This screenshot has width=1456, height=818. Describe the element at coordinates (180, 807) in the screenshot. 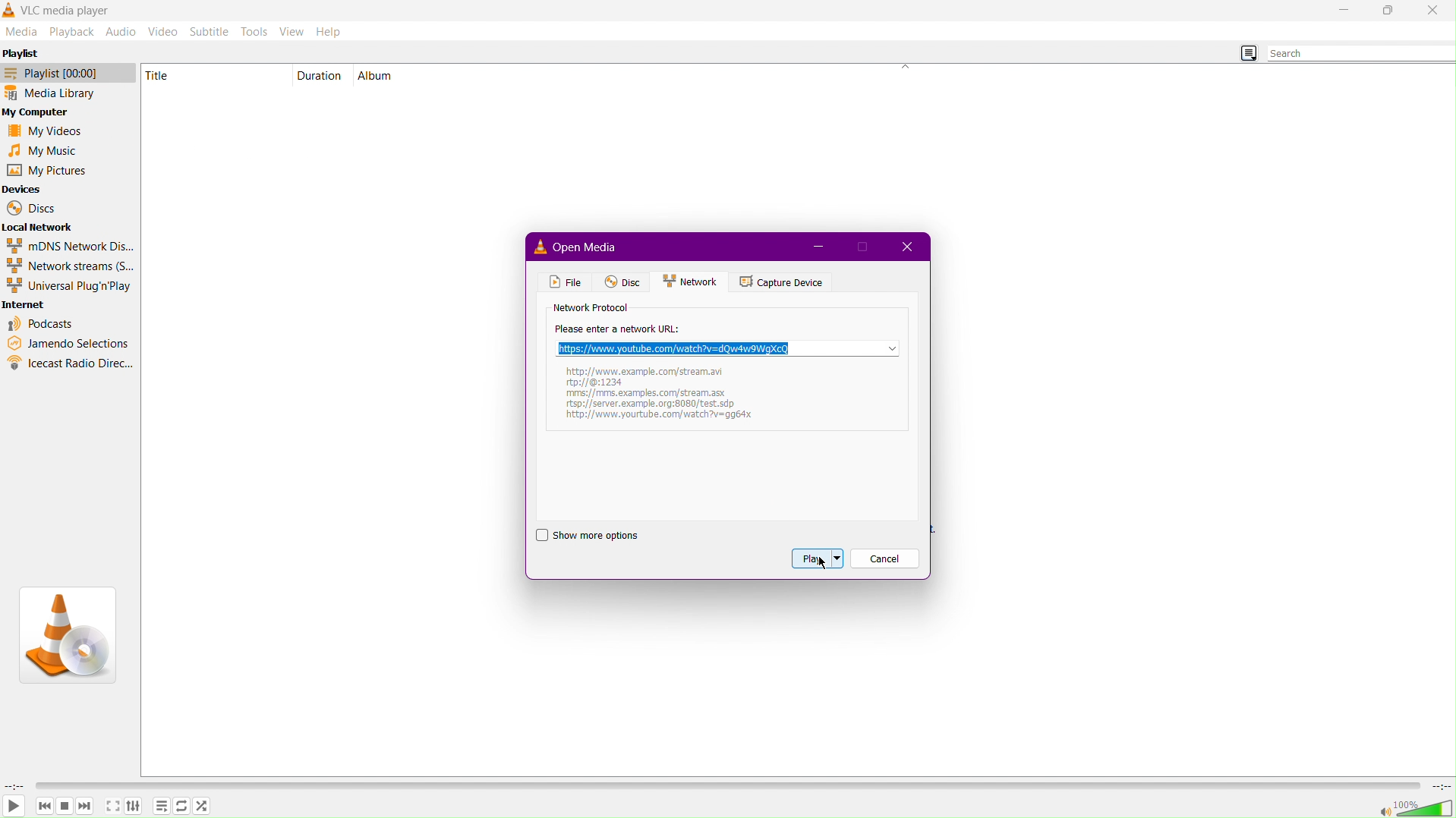

I see `Toggle Loop` at that location.